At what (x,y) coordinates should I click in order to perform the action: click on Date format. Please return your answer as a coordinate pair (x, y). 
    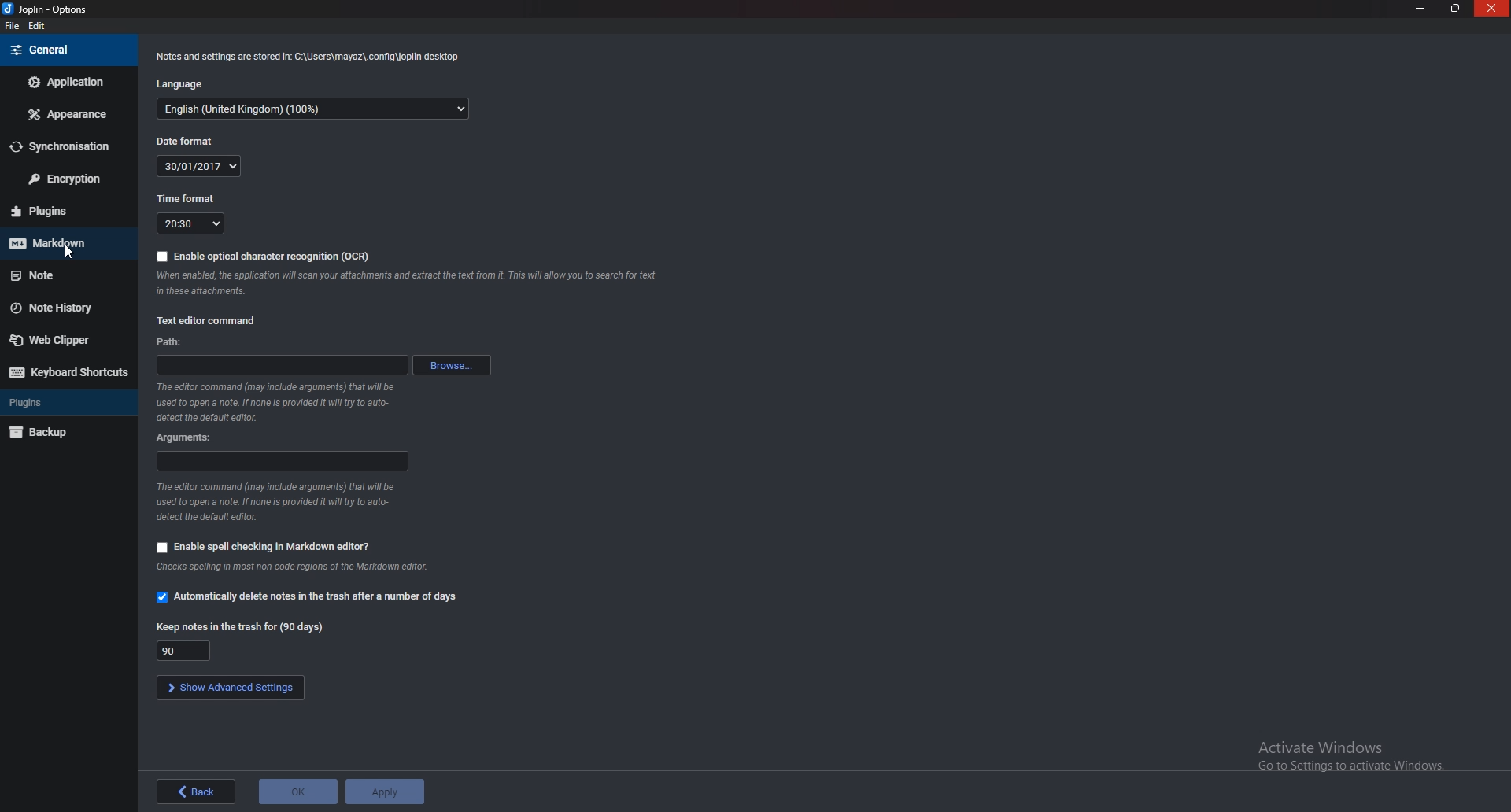
    Looking at the image, I should click on (200, 166).